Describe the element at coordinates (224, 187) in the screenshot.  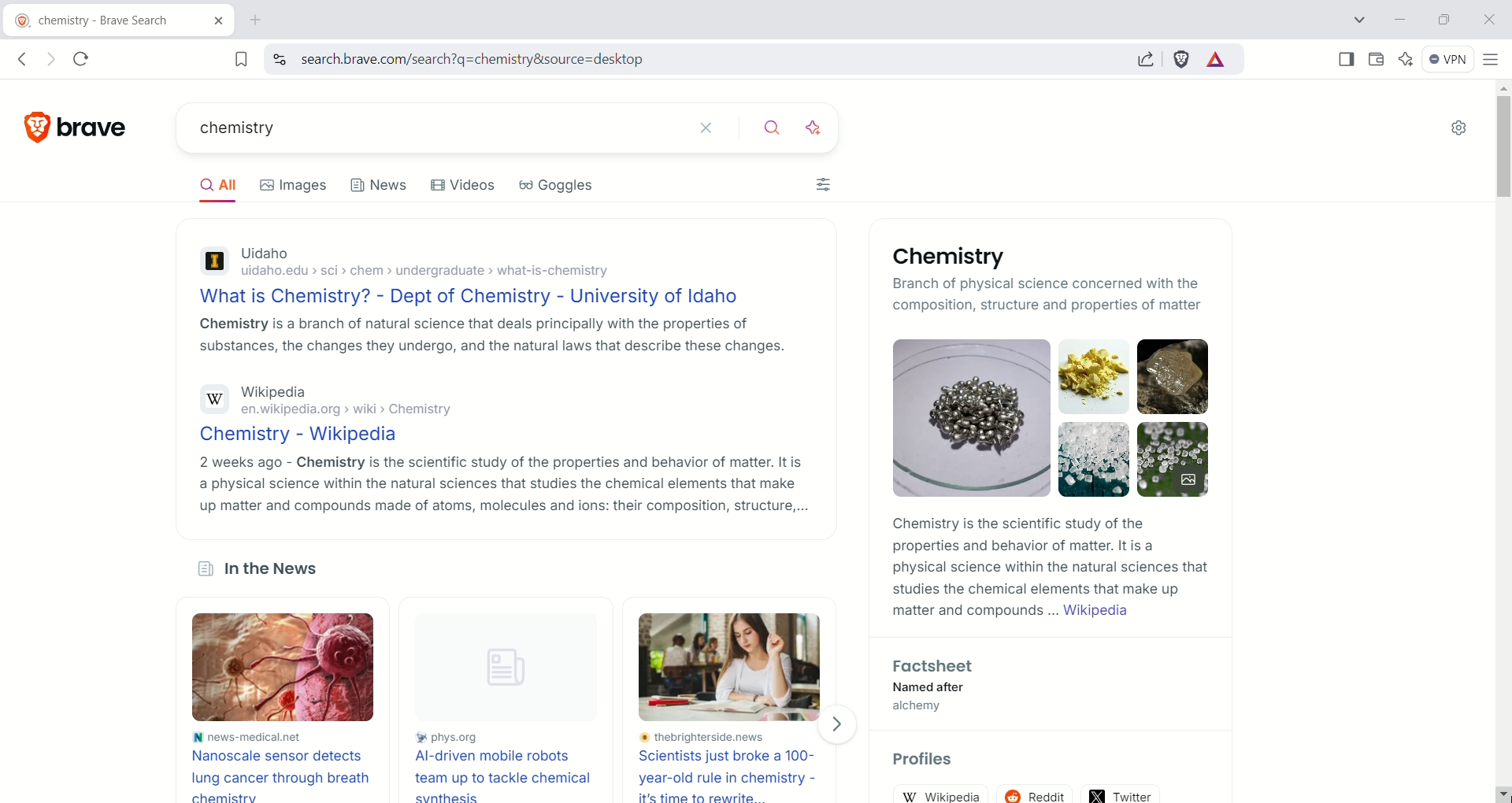
I see `All` at that location.